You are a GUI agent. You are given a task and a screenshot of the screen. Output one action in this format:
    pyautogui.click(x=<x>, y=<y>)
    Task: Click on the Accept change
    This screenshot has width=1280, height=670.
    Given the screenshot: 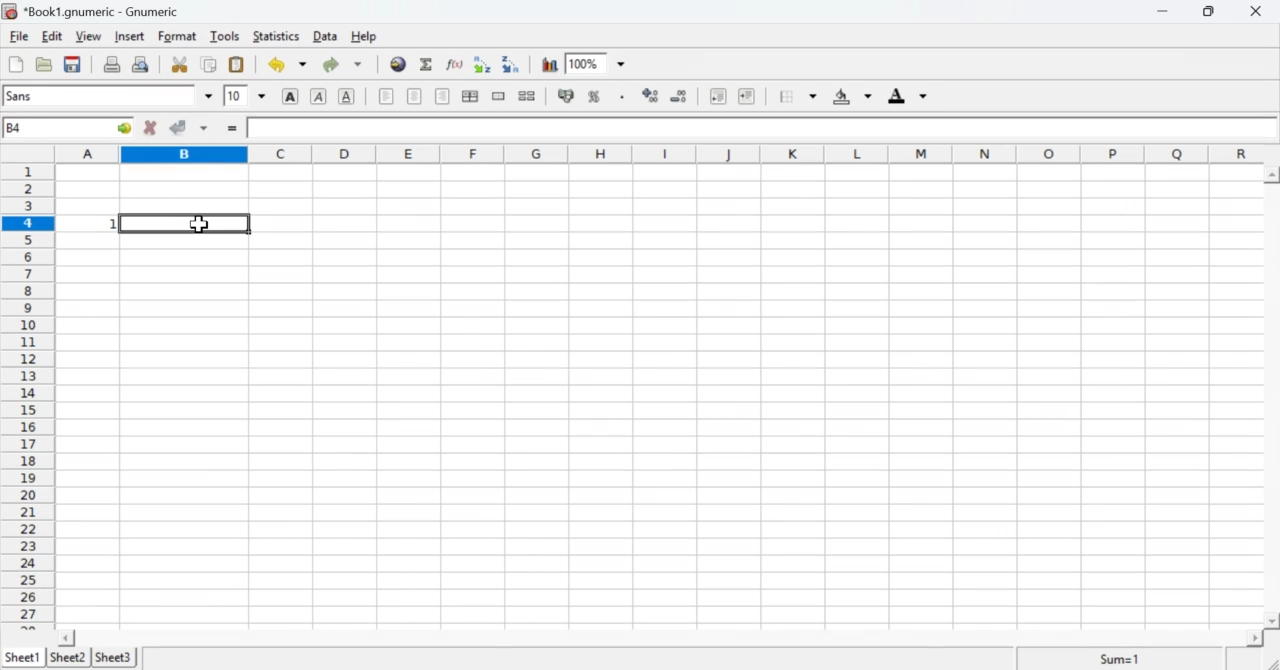 What is the action you would take?
    pyautogui.click(x=189, y=128)
    